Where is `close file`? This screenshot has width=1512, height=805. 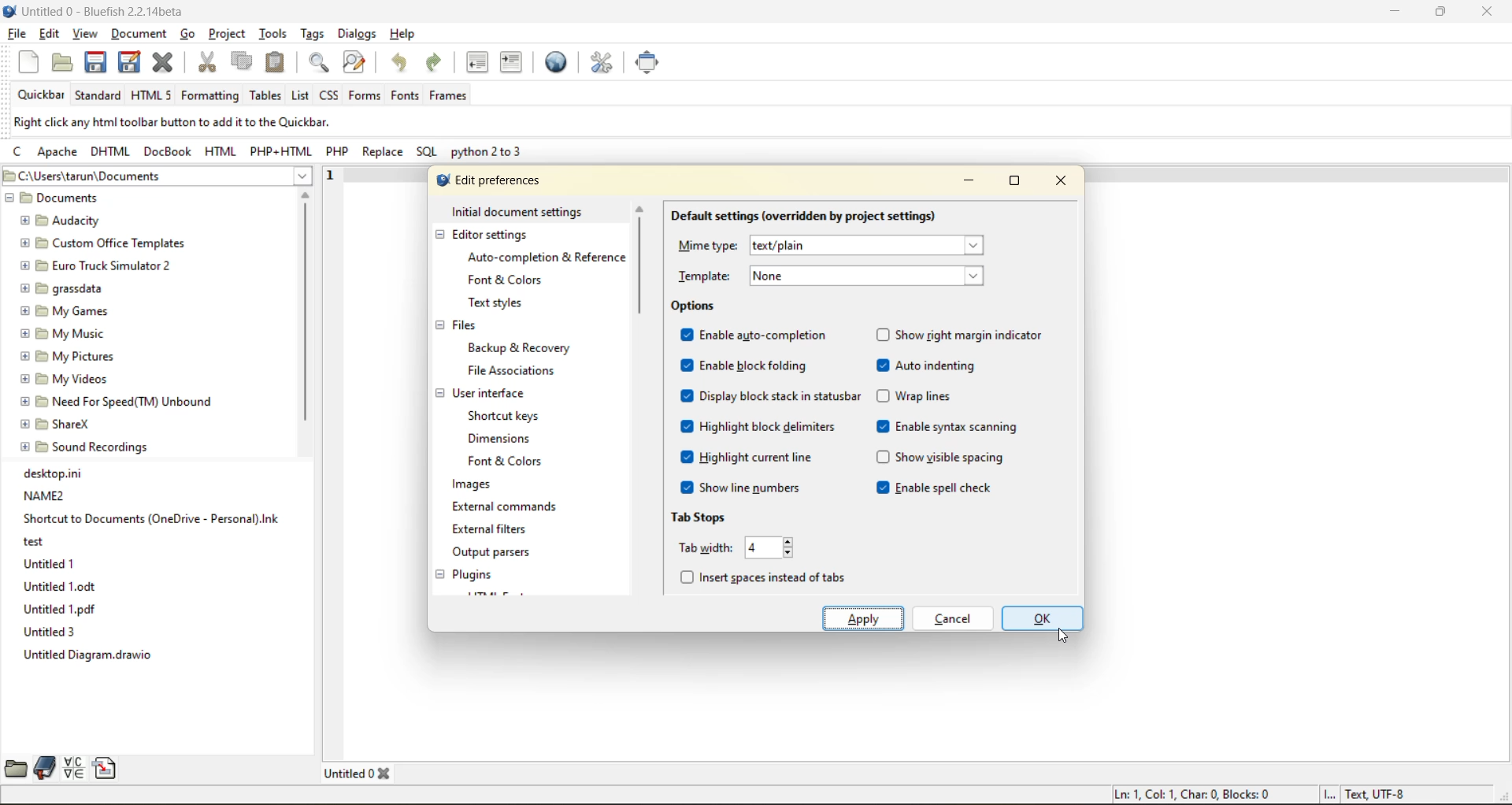
close file is located at coordinates (164, 63).